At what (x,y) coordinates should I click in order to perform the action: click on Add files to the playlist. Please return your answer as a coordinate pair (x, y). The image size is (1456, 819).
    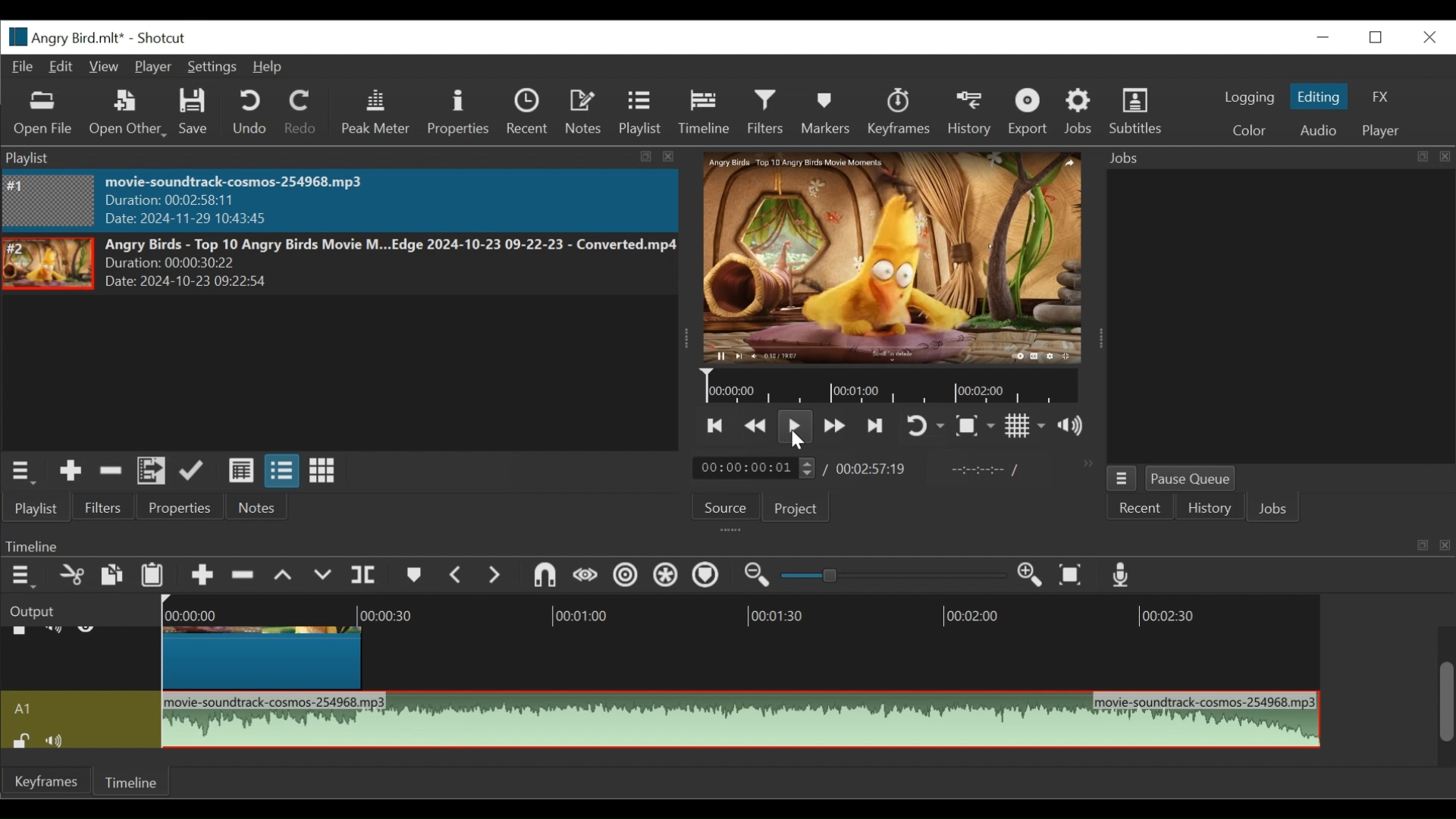
    Looking at the image, I should click on (152, 472).